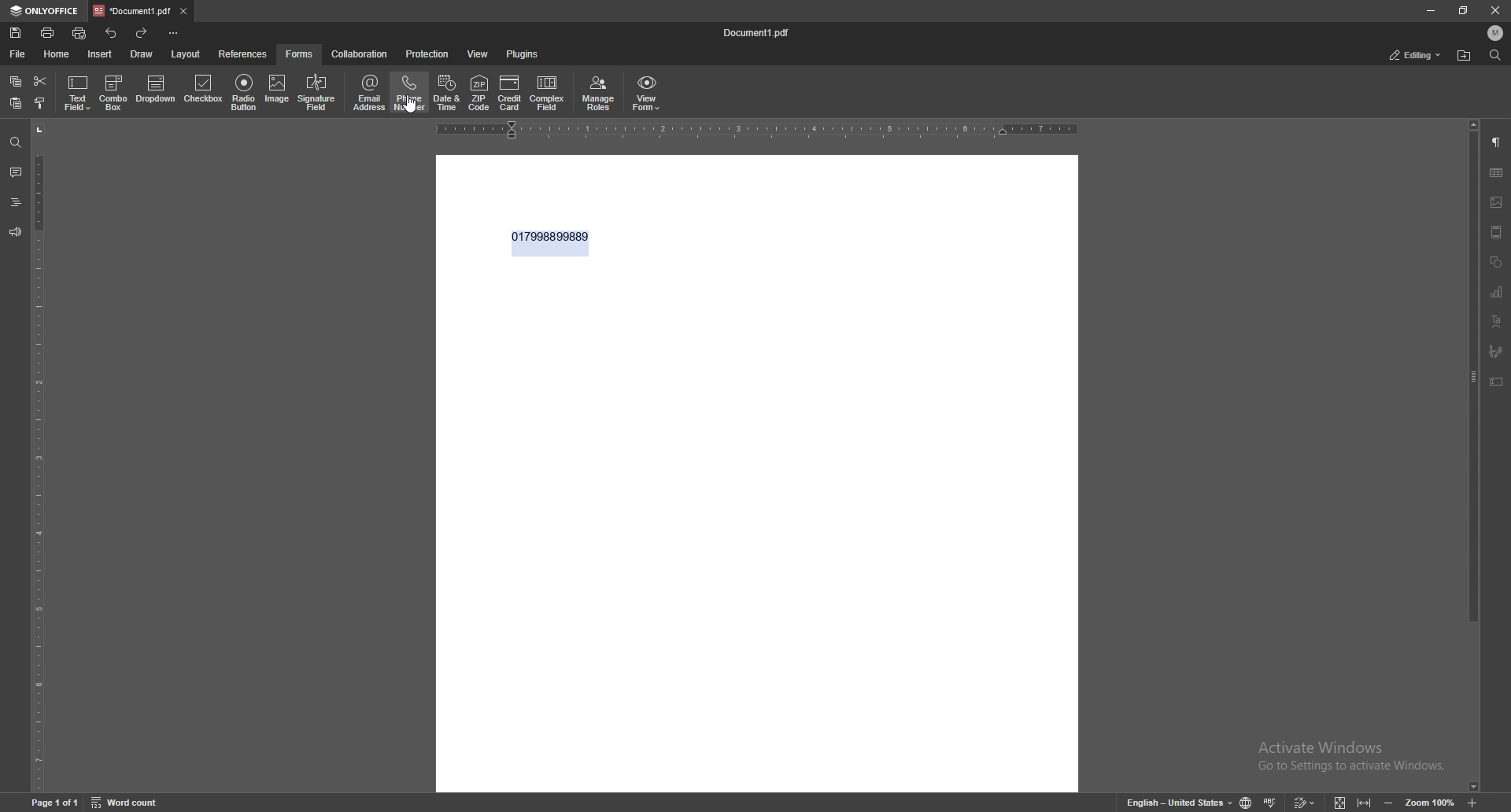  I want to click on word count, so click(128, 803).